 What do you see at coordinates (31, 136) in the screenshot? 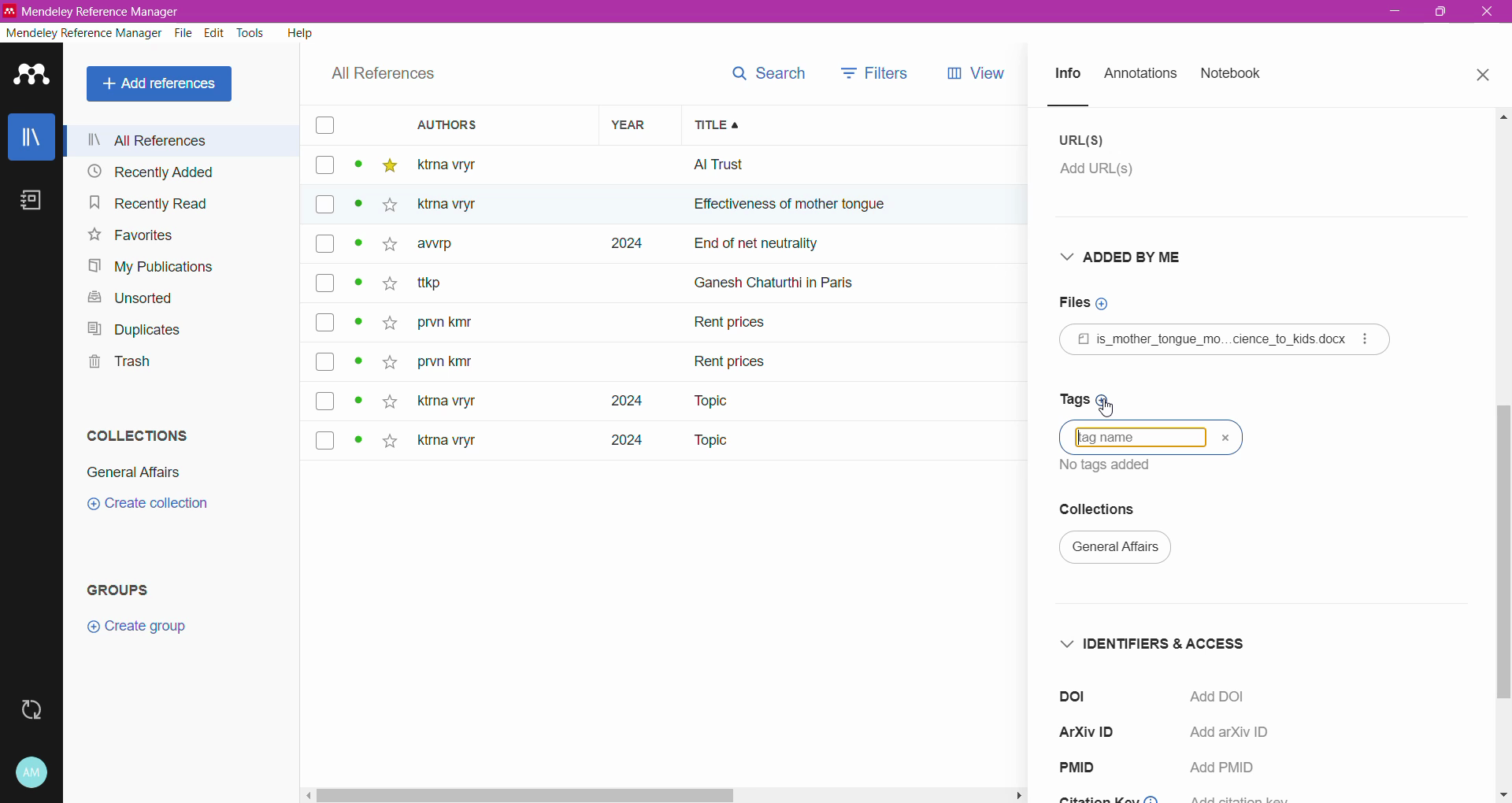
I see `Library` at bounding box center [31, 136].